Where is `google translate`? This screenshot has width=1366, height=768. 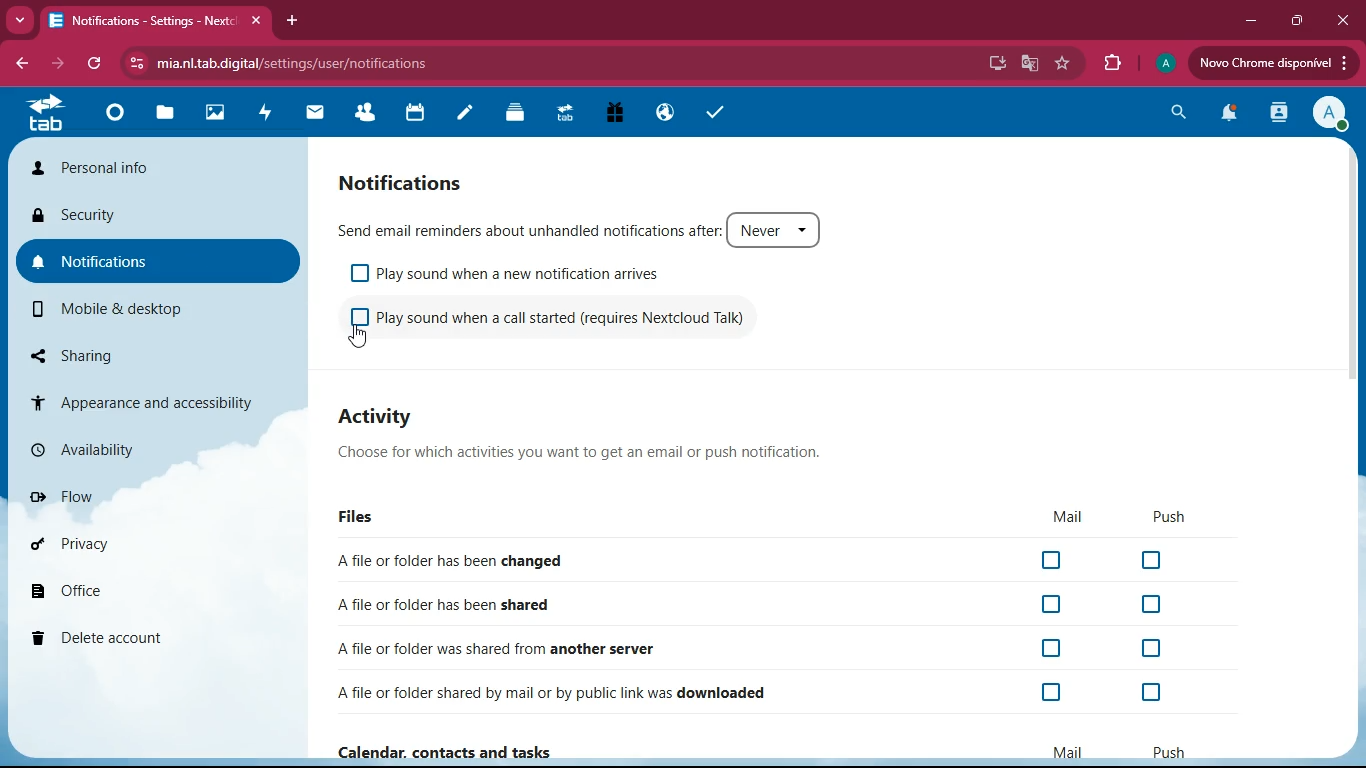 google translate is located at coordinates (1030, 64).